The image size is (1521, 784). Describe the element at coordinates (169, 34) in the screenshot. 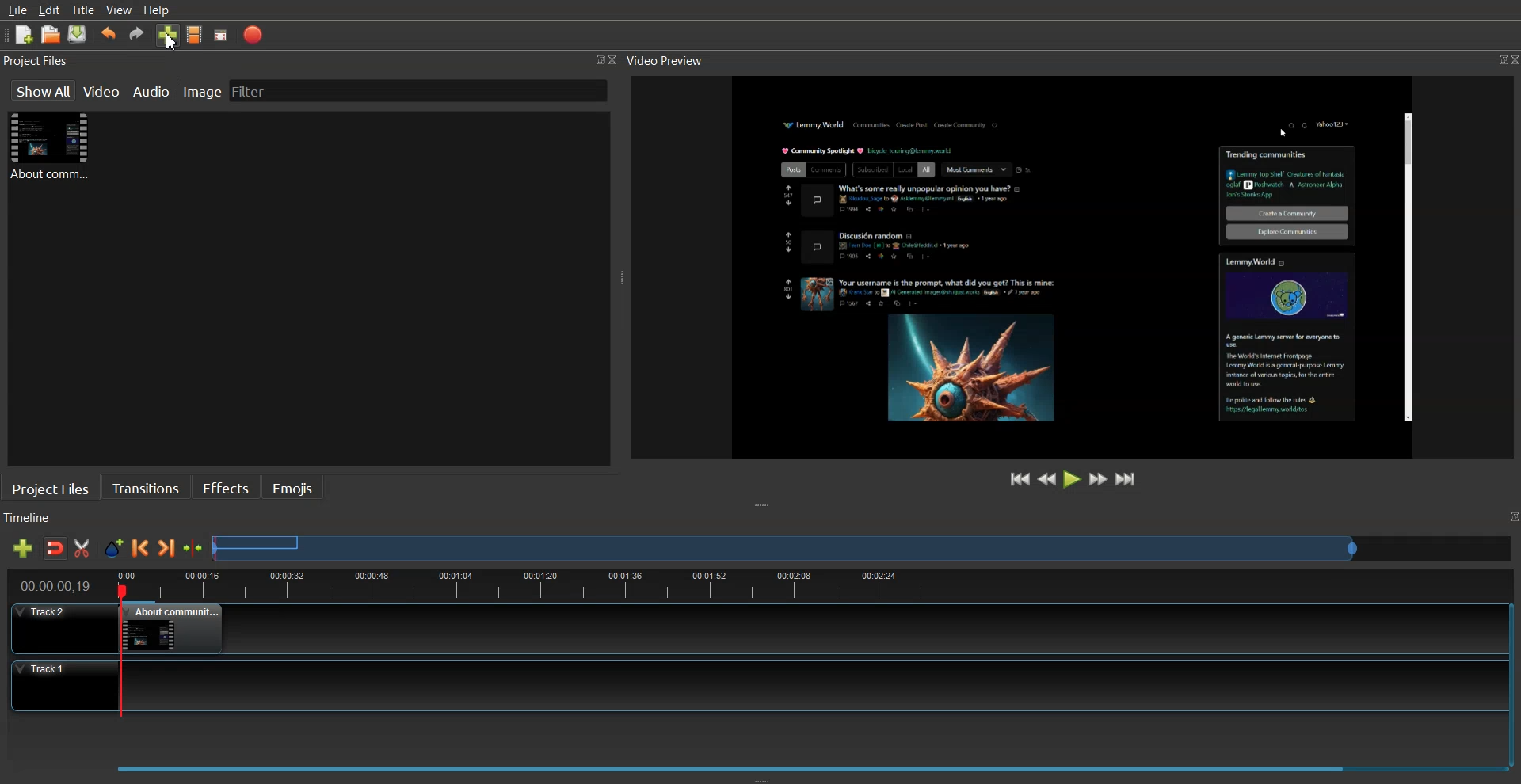

I see `Import file` at that location.